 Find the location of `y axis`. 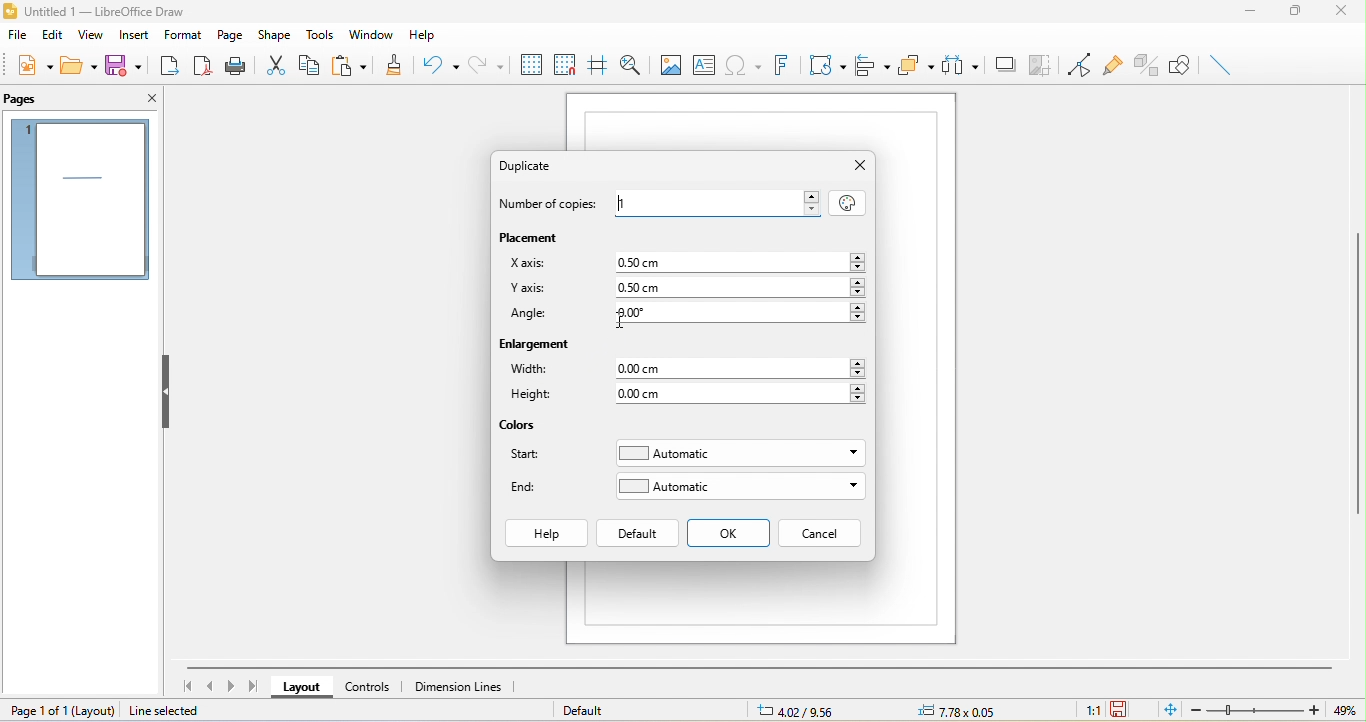

y axis is located at coordinates (528, 290).